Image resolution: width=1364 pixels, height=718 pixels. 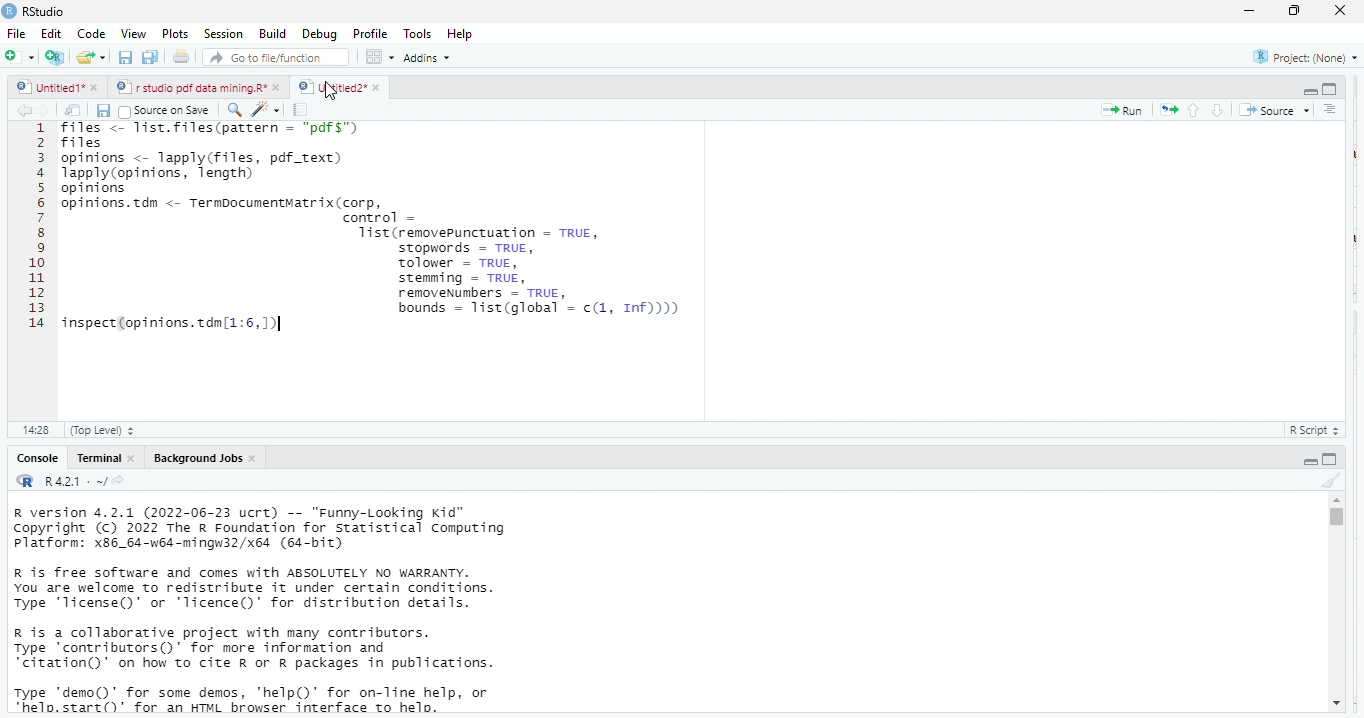 I want to click on create a project, so click(x=53, y=57).